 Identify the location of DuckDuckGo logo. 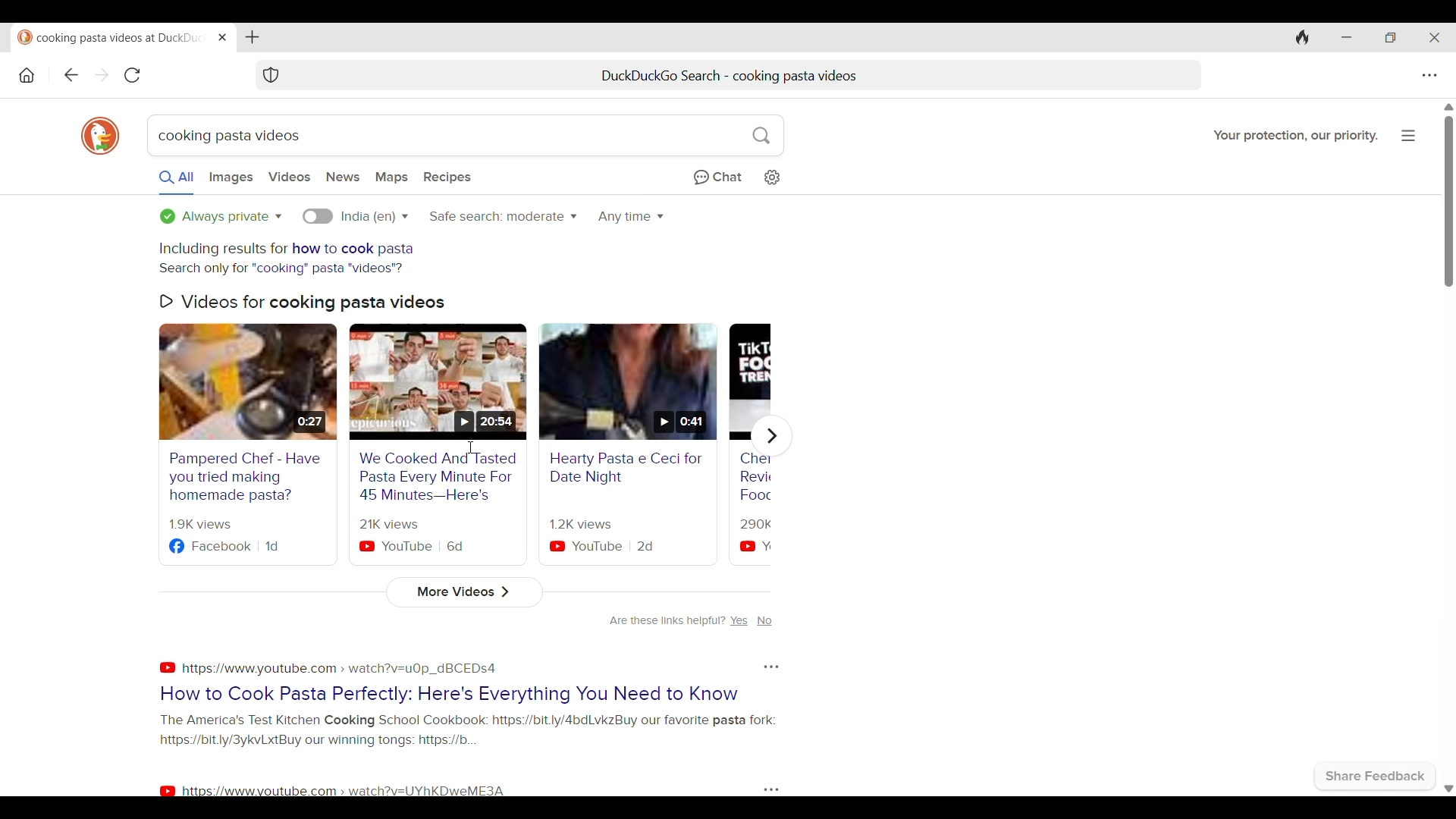
(101, 136).